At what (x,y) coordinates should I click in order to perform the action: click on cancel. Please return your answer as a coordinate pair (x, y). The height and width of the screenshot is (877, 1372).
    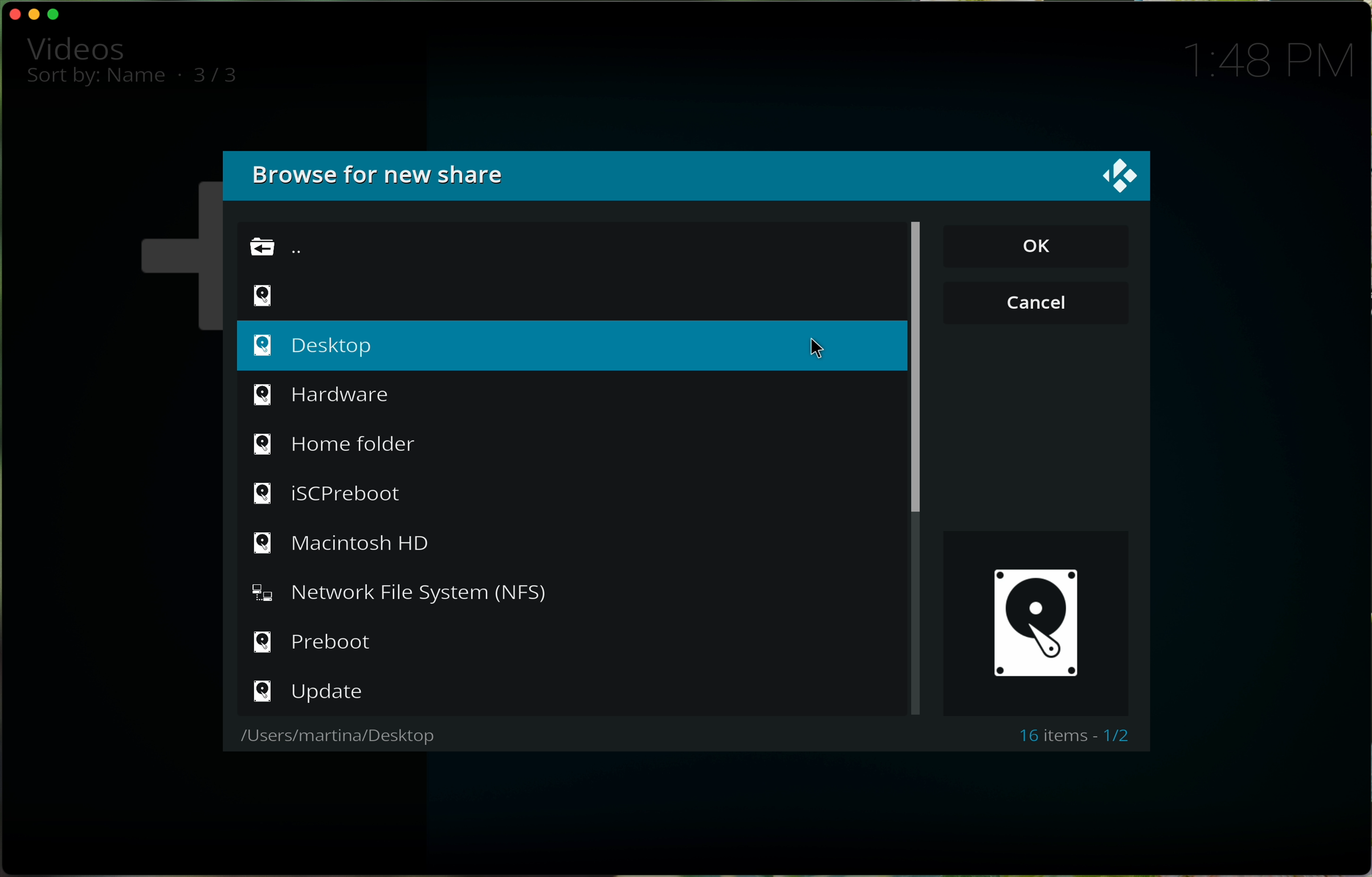
    Looking at the image, I should click on (1036, 306).